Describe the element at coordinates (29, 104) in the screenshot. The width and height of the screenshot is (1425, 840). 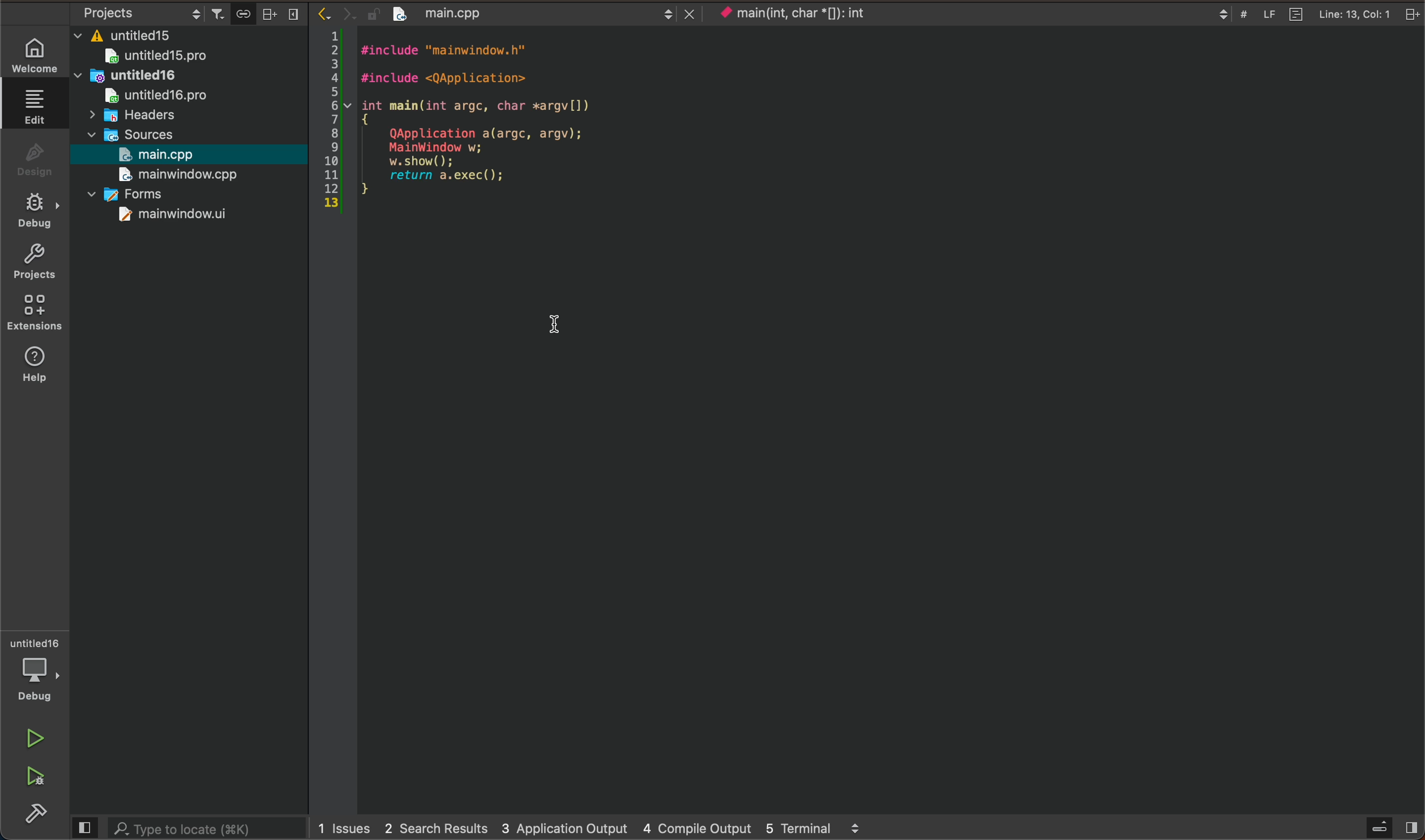
I see `edit` at that location.